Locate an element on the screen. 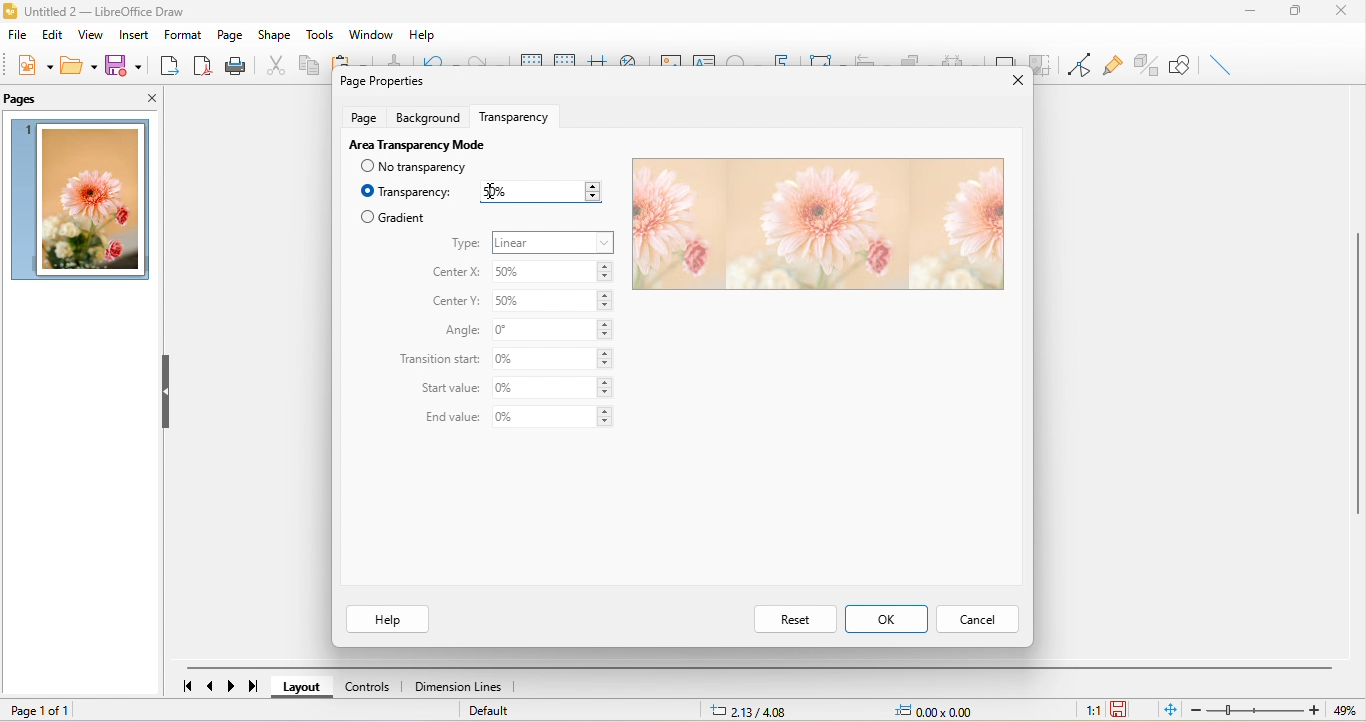  export directly as pdf is located at coordinates (199, 64).